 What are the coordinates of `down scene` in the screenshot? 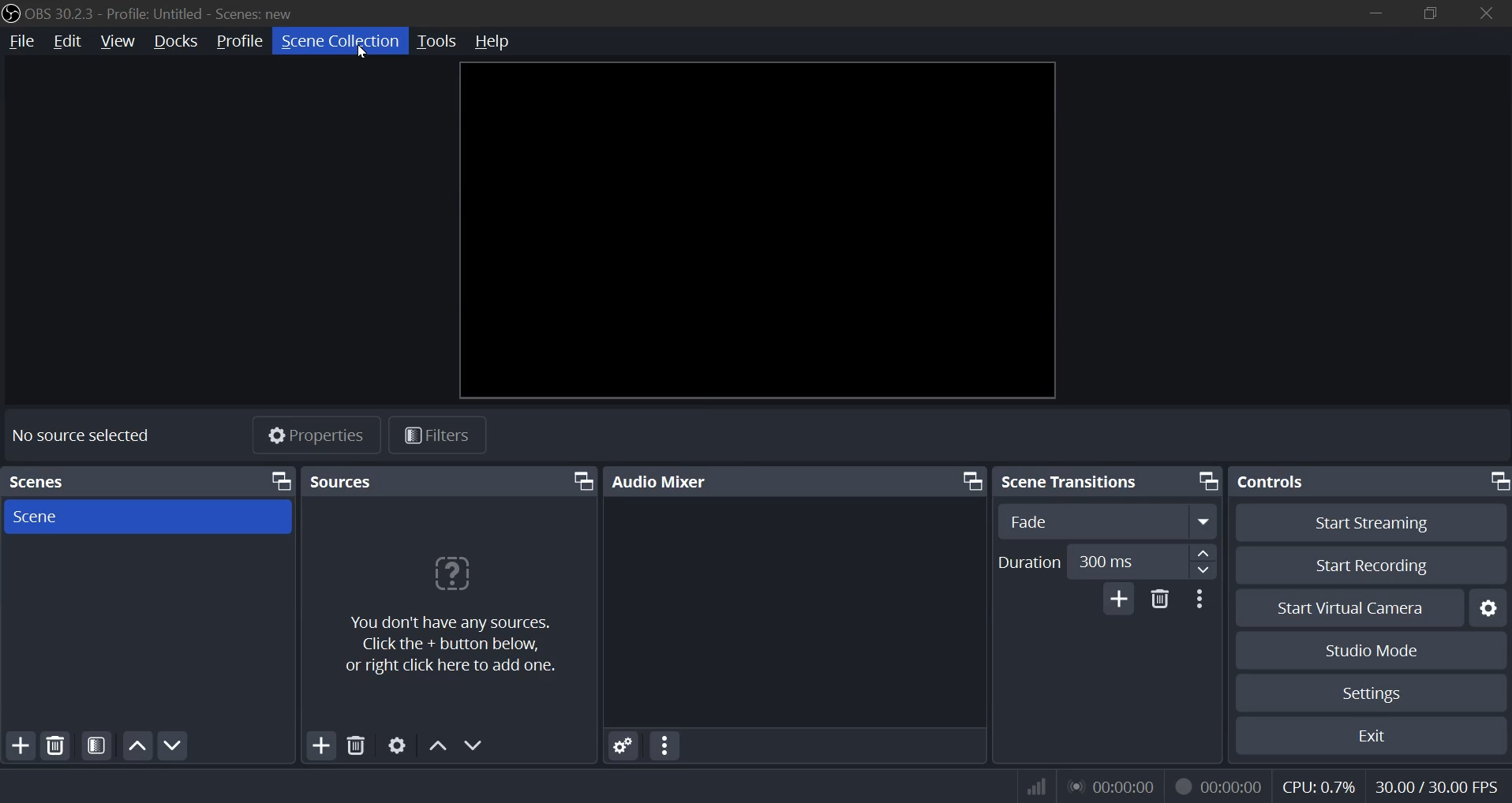 It's located at (176, 745).